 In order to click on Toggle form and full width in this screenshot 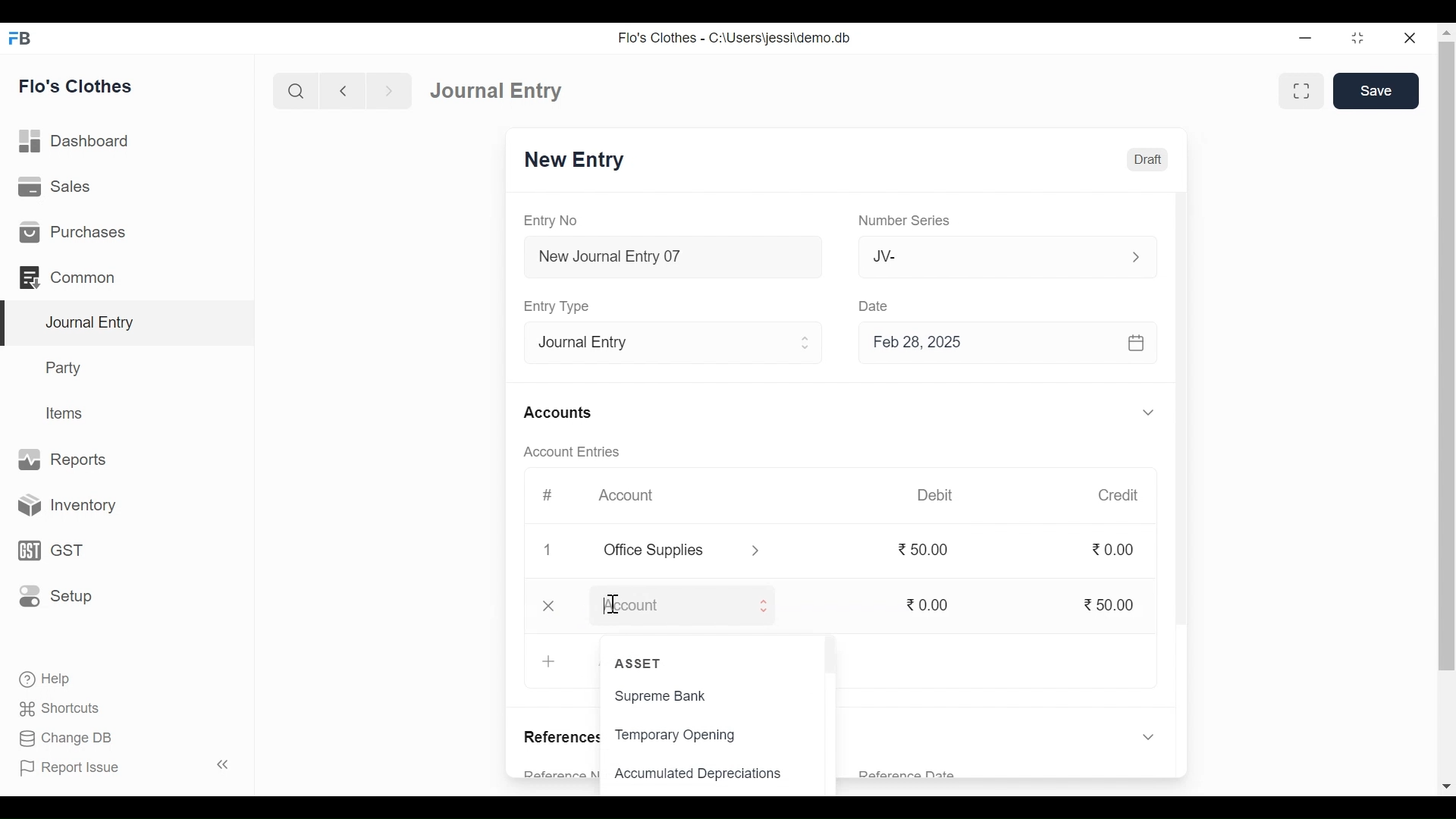, I will do `click(1301, 92)`.